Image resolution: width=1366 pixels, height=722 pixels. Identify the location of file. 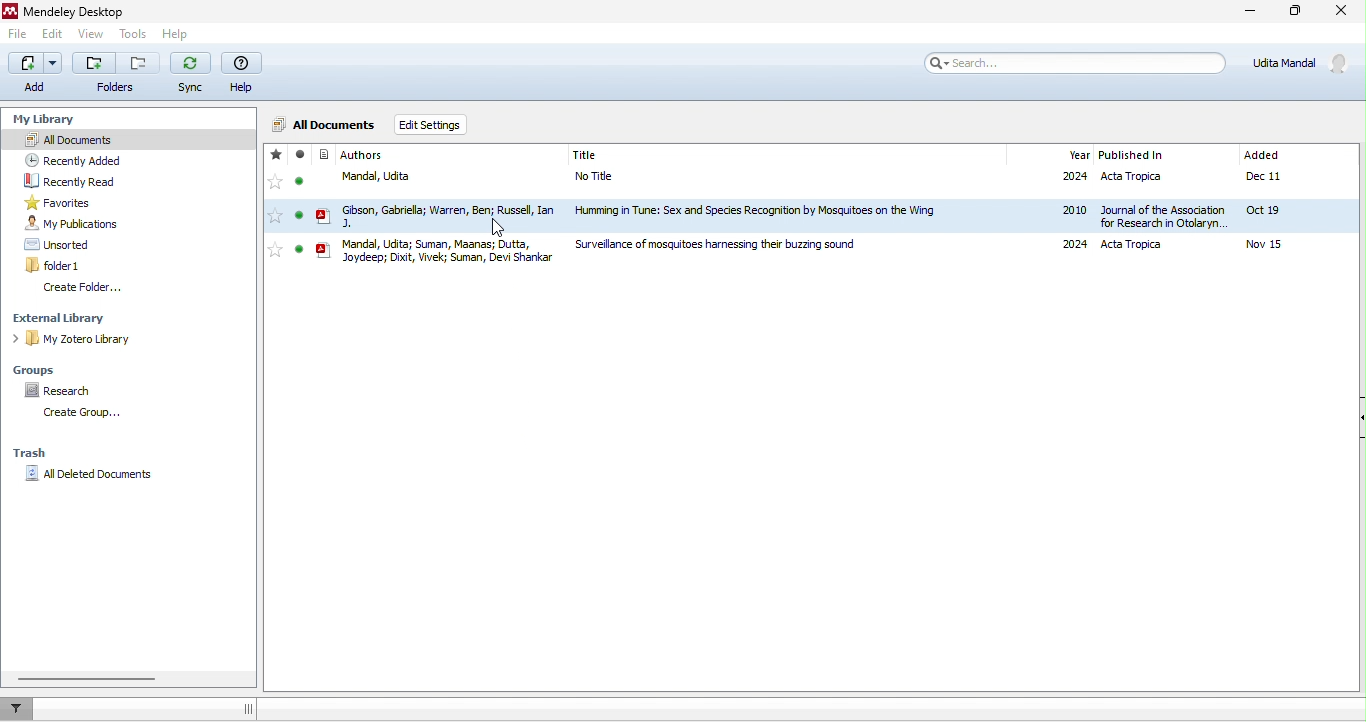
(19, 36).